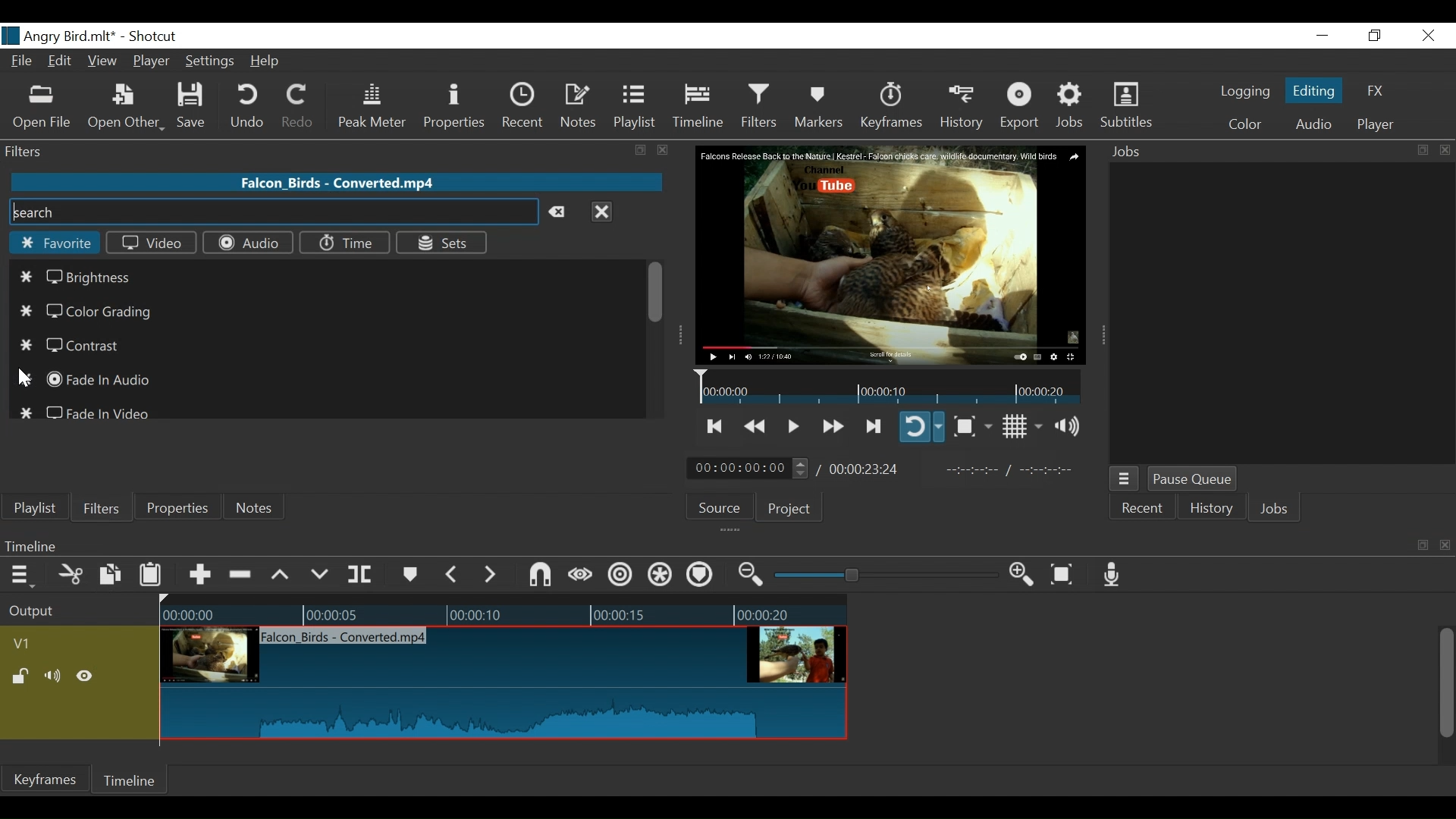  What do you see at coordinates (1141, 510) in the screenshot?
I see `Recent` at bounding box center [1141, 510].